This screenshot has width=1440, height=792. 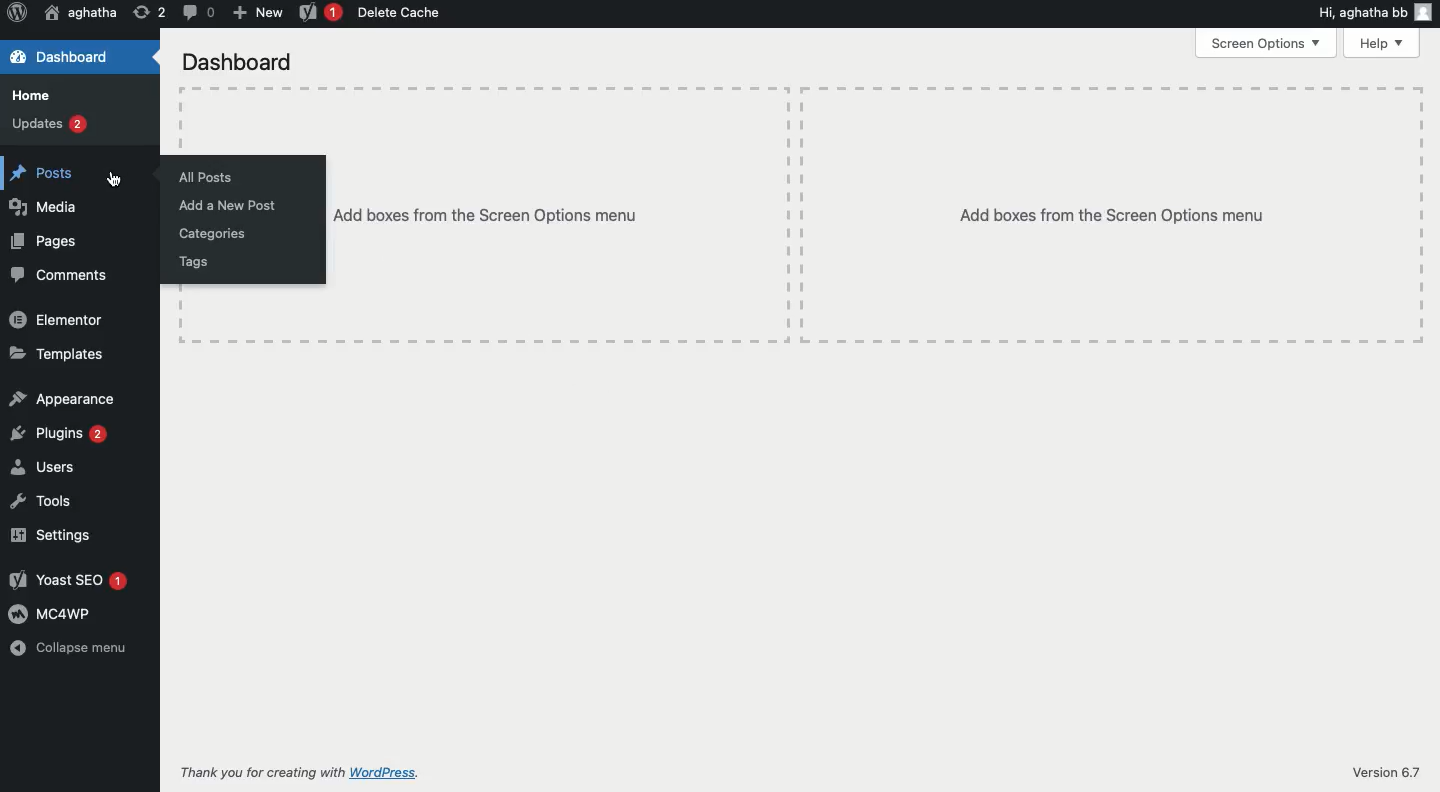 What do you see at coordinates (181, 125) in the screenshot?
I see `Table line` at bounding box center [181, 125].